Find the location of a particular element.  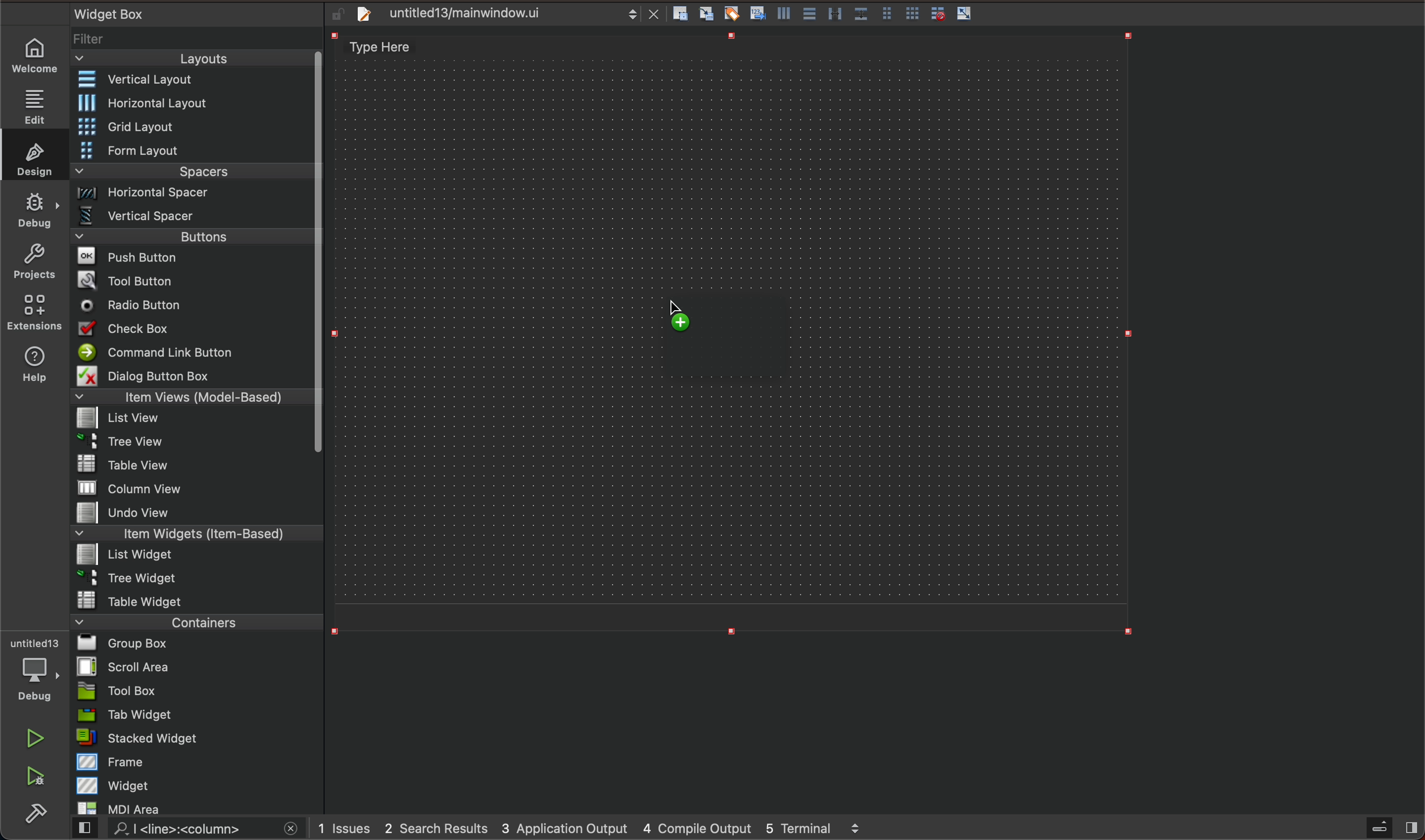

frame is located at coordinates (196, 762).